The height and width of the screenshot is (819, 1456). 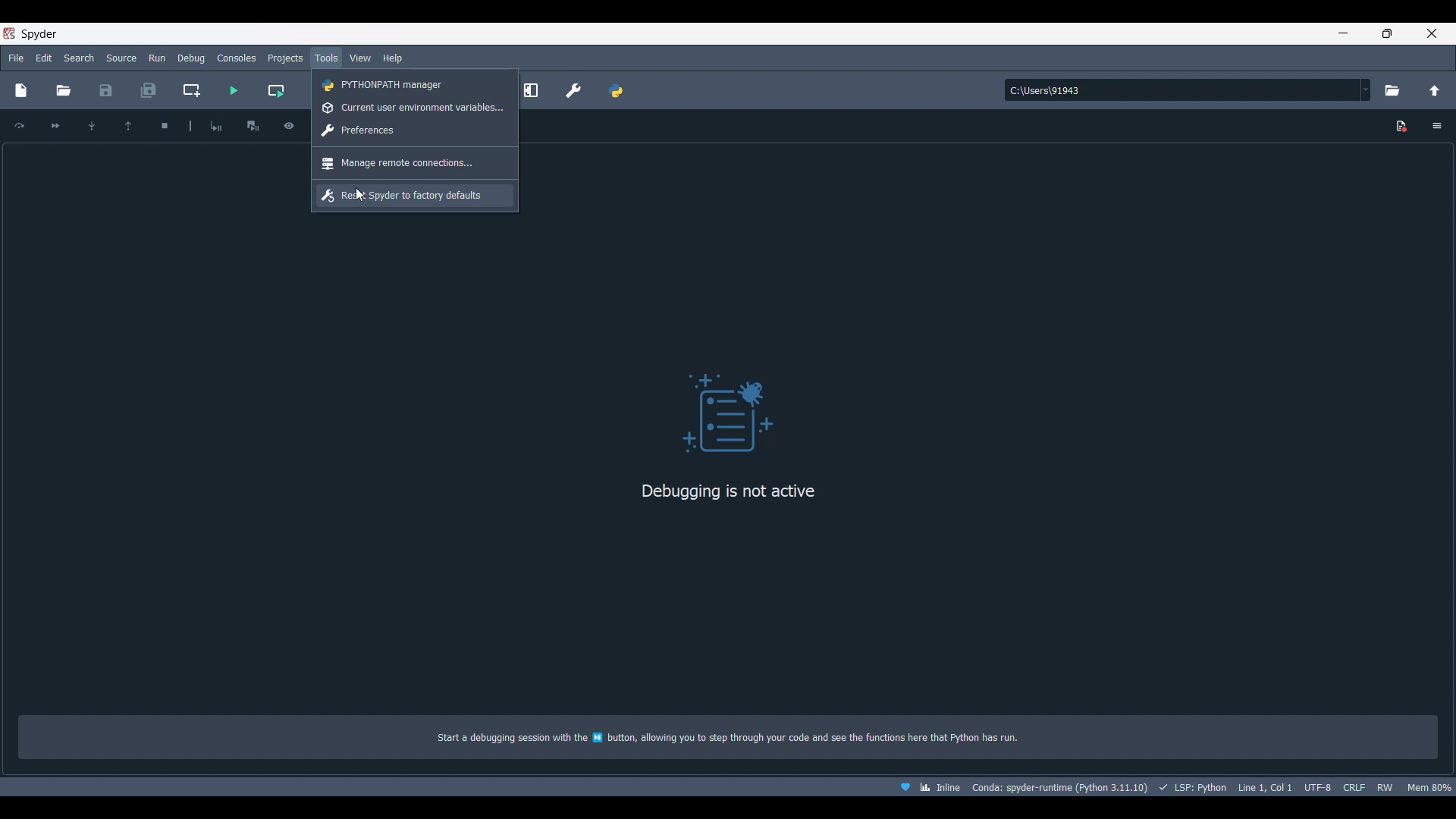 What do you see at coordinates (1387, 33) in the screenshot?
I see `Show in smaller tab` at bounding box center [1387, 33].